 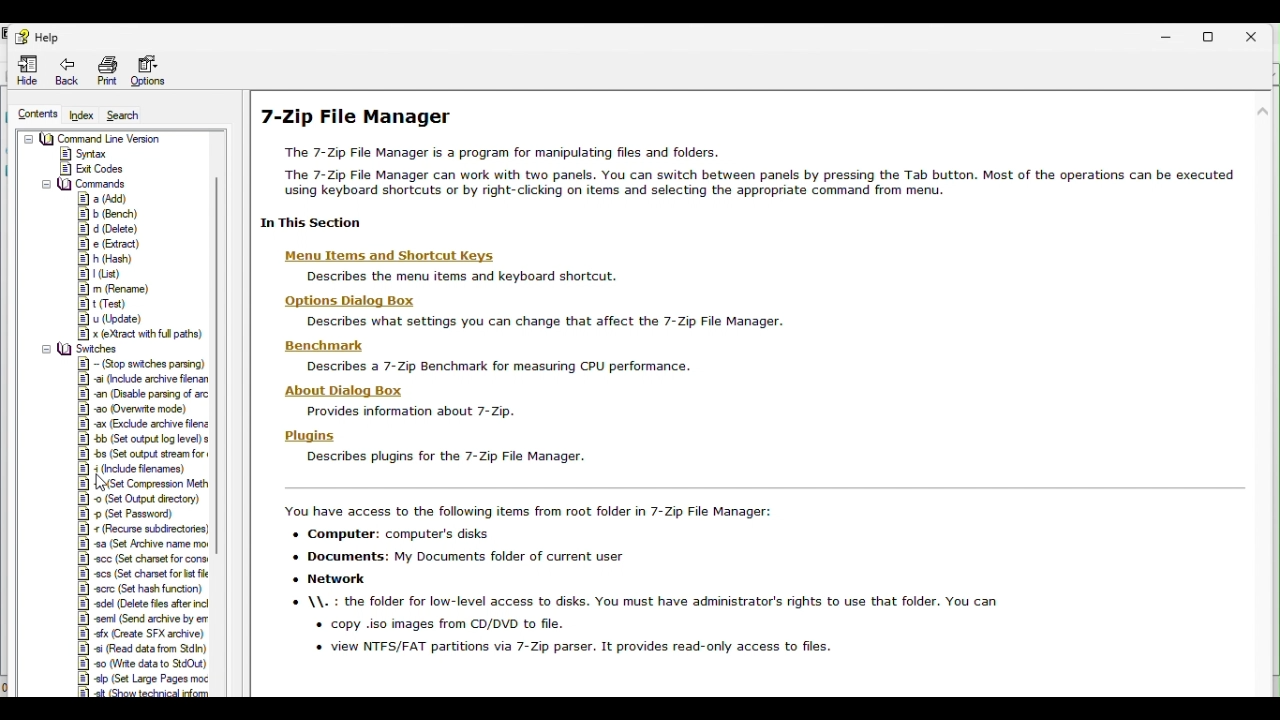 I want to click on delete, so click(x=108, y=229).